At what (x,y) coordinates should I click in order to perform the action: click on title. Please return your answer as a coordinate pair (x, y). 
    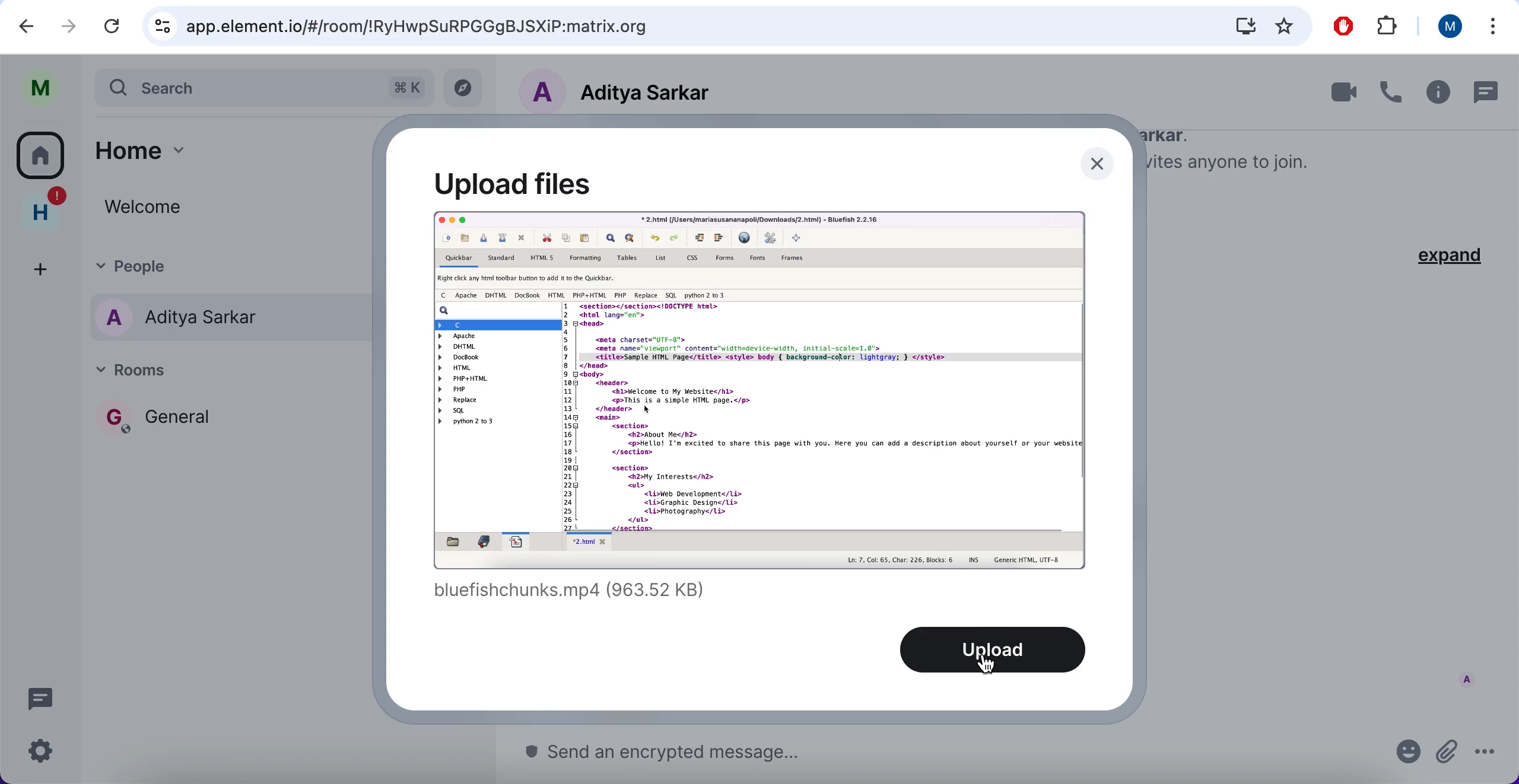
    Looking at the image, I should click on (575, 591).